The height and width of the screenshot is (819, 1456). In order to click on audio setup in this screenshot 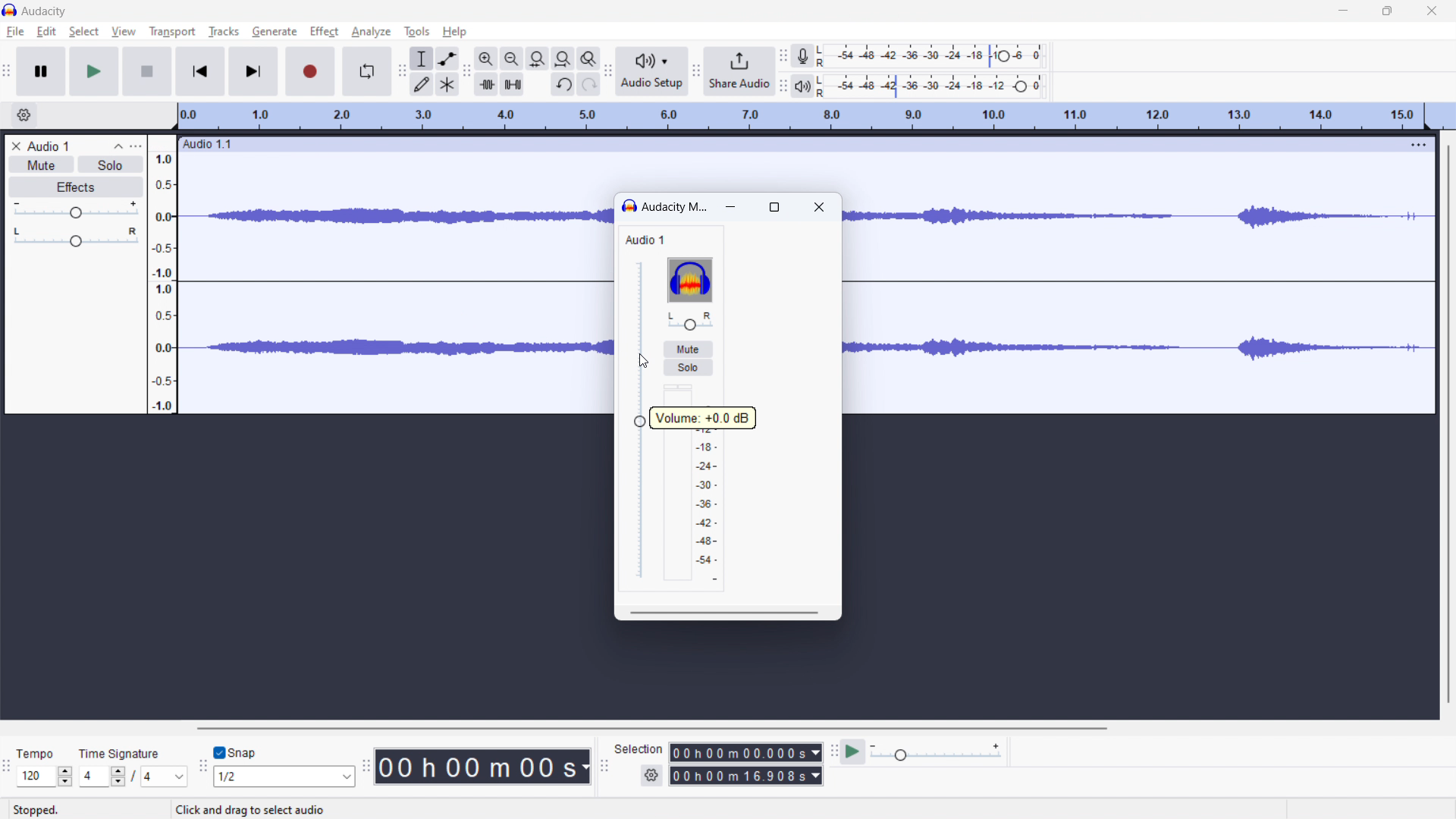, I will do `click(652, 72)`.